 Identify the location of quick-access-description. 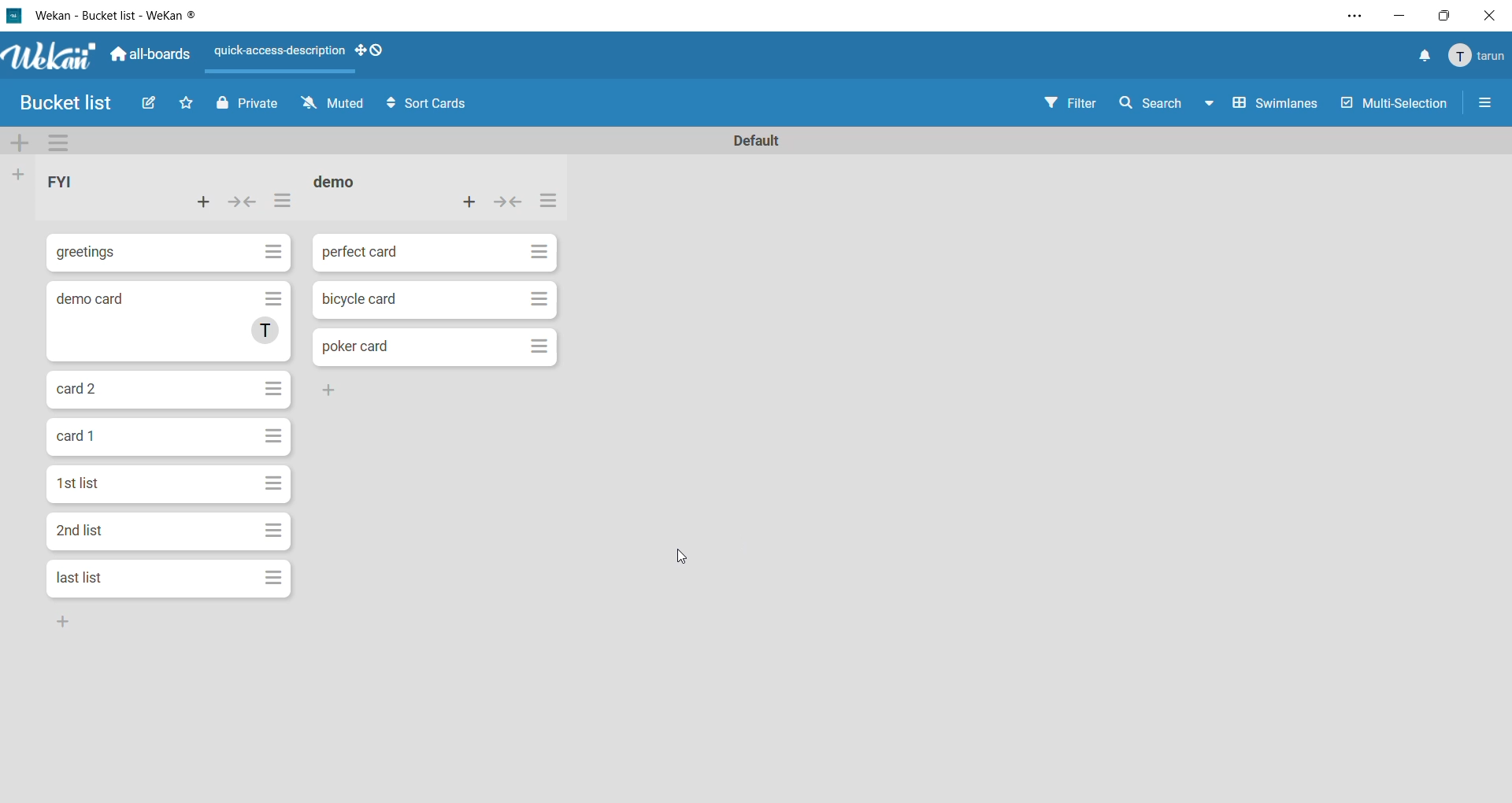
(272, 51).